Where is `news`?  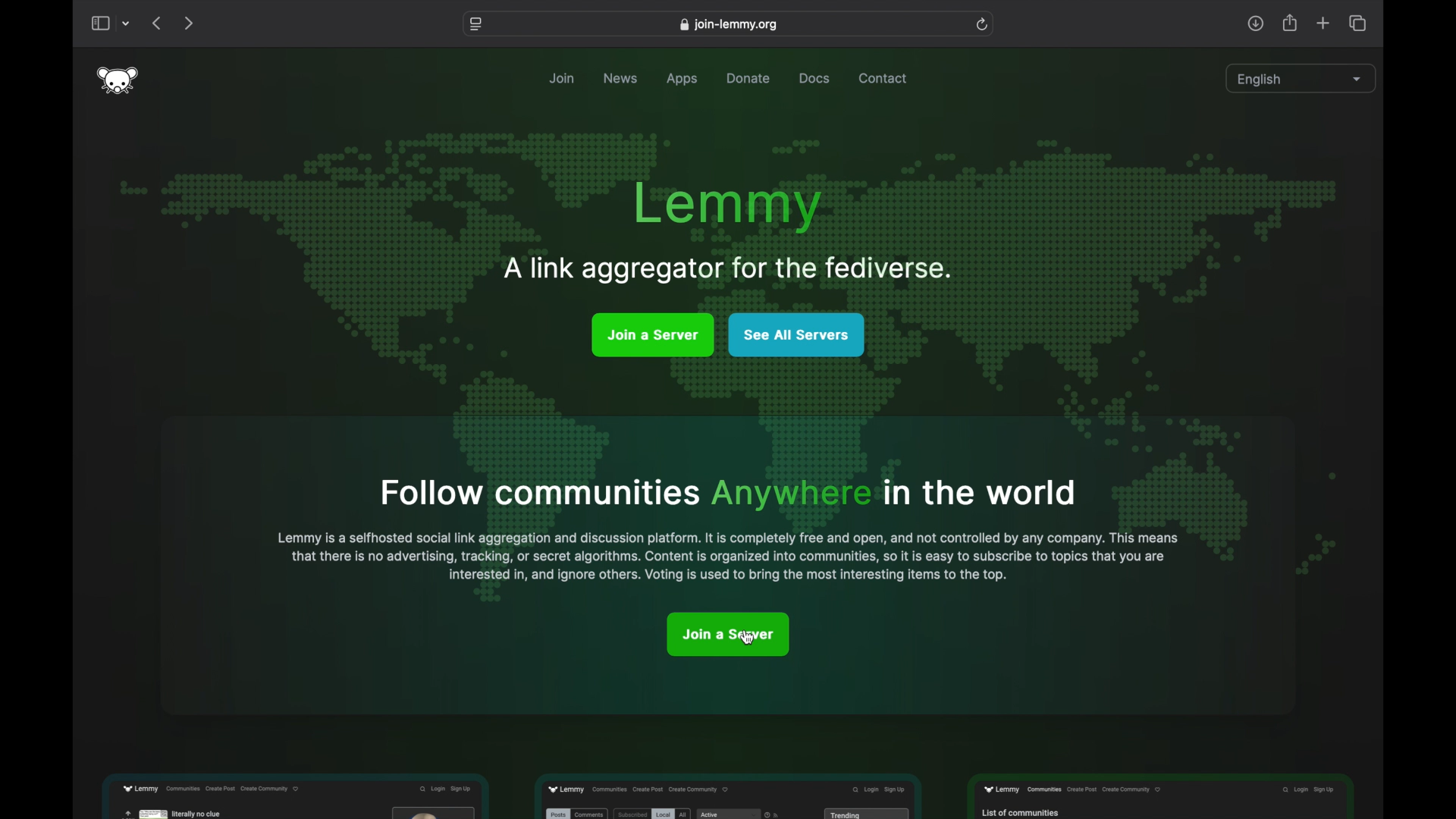 news is located at coordinates (622, 79).